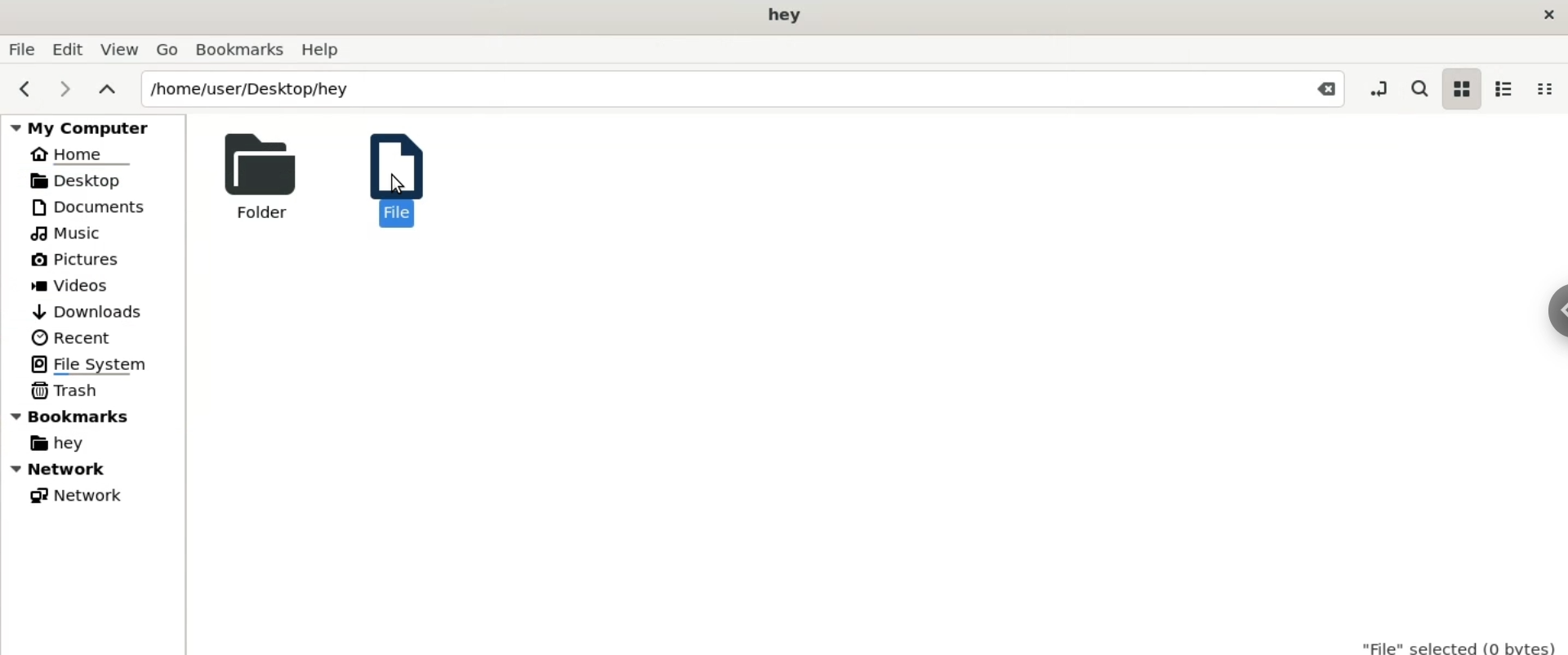 The width and height of the screenshot is (1568, 655). What do you see at coordinates (1460, 644) in the screenshot?
I see `"File" selected (0 bytes)` at bounding box center [1460, 644].